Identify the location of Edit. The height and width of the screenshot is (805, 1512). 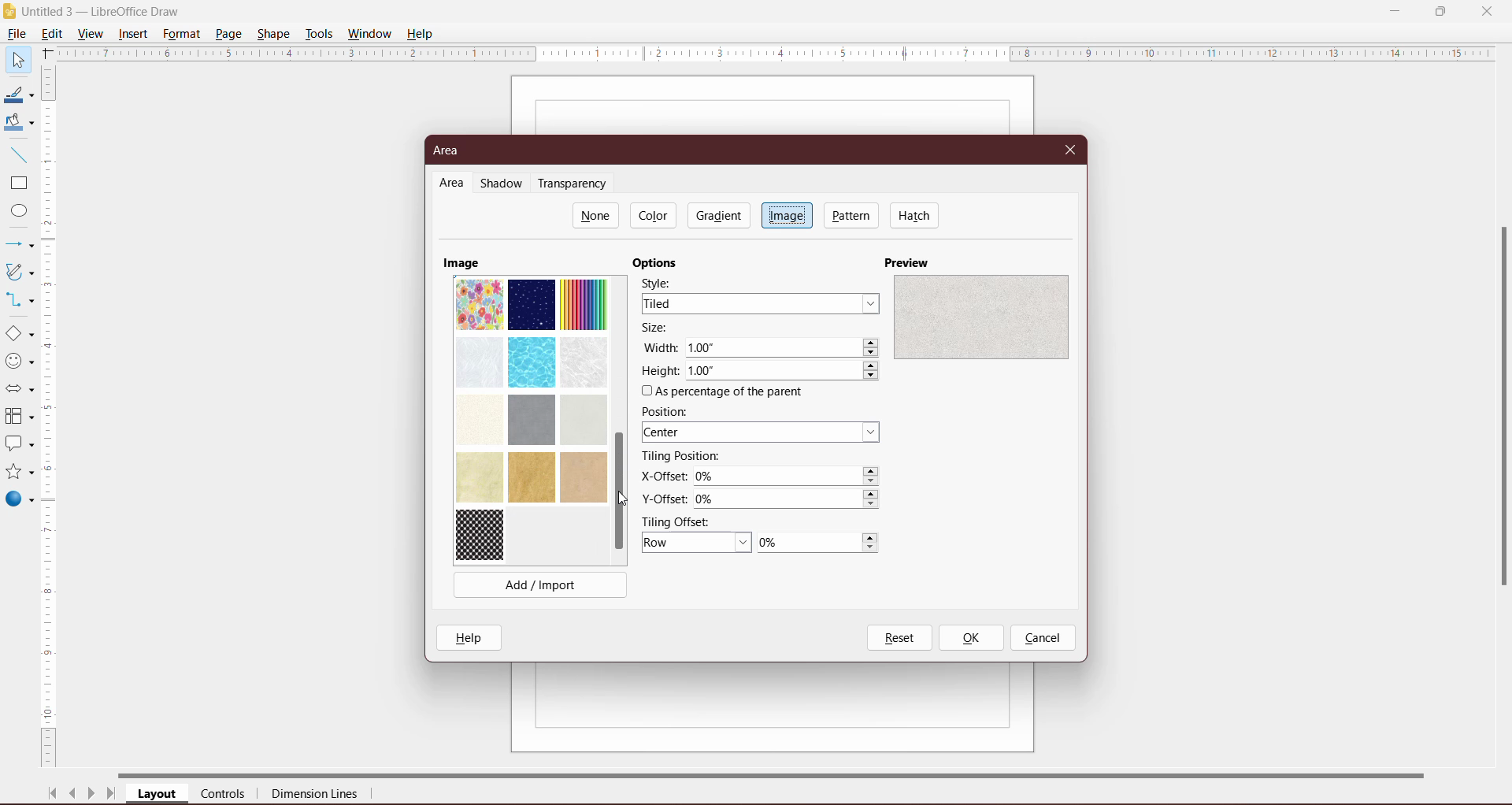
(55, 32).